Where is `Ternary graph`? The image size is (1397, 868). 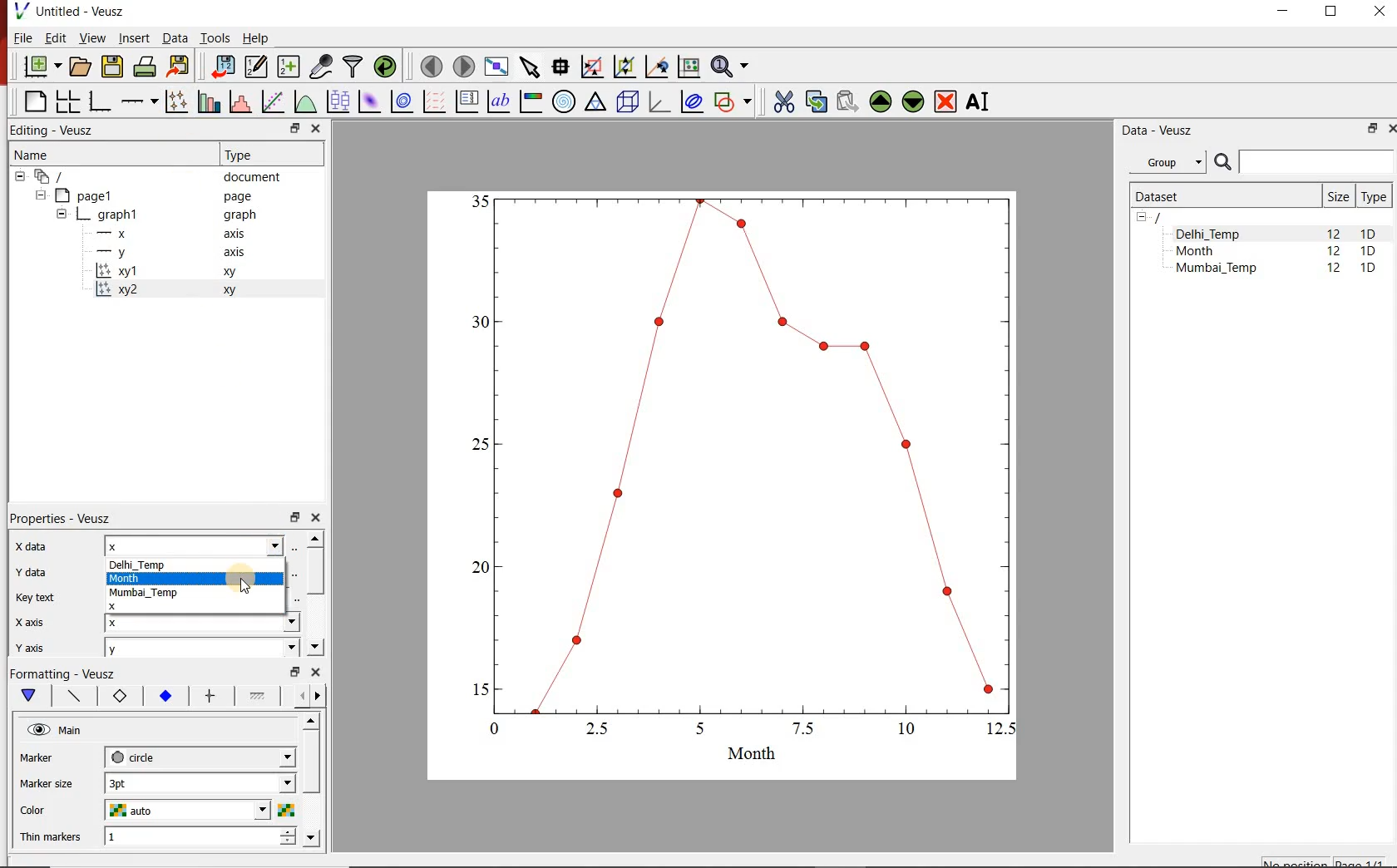 Ternary graph is located at coordinates (595, 103).